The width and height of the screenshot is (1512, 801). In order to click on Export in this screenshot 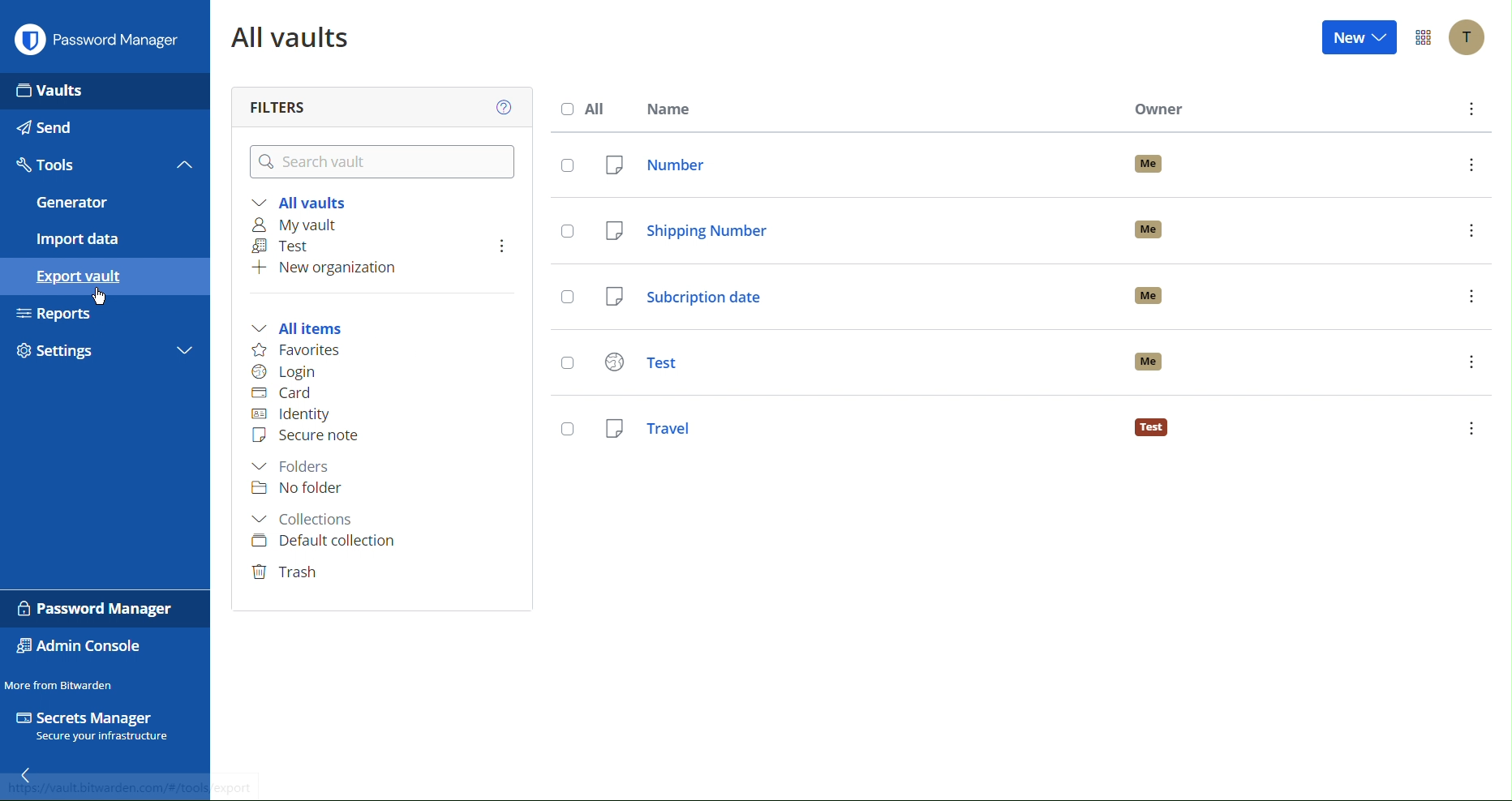, I will do `click(85, 275)`.